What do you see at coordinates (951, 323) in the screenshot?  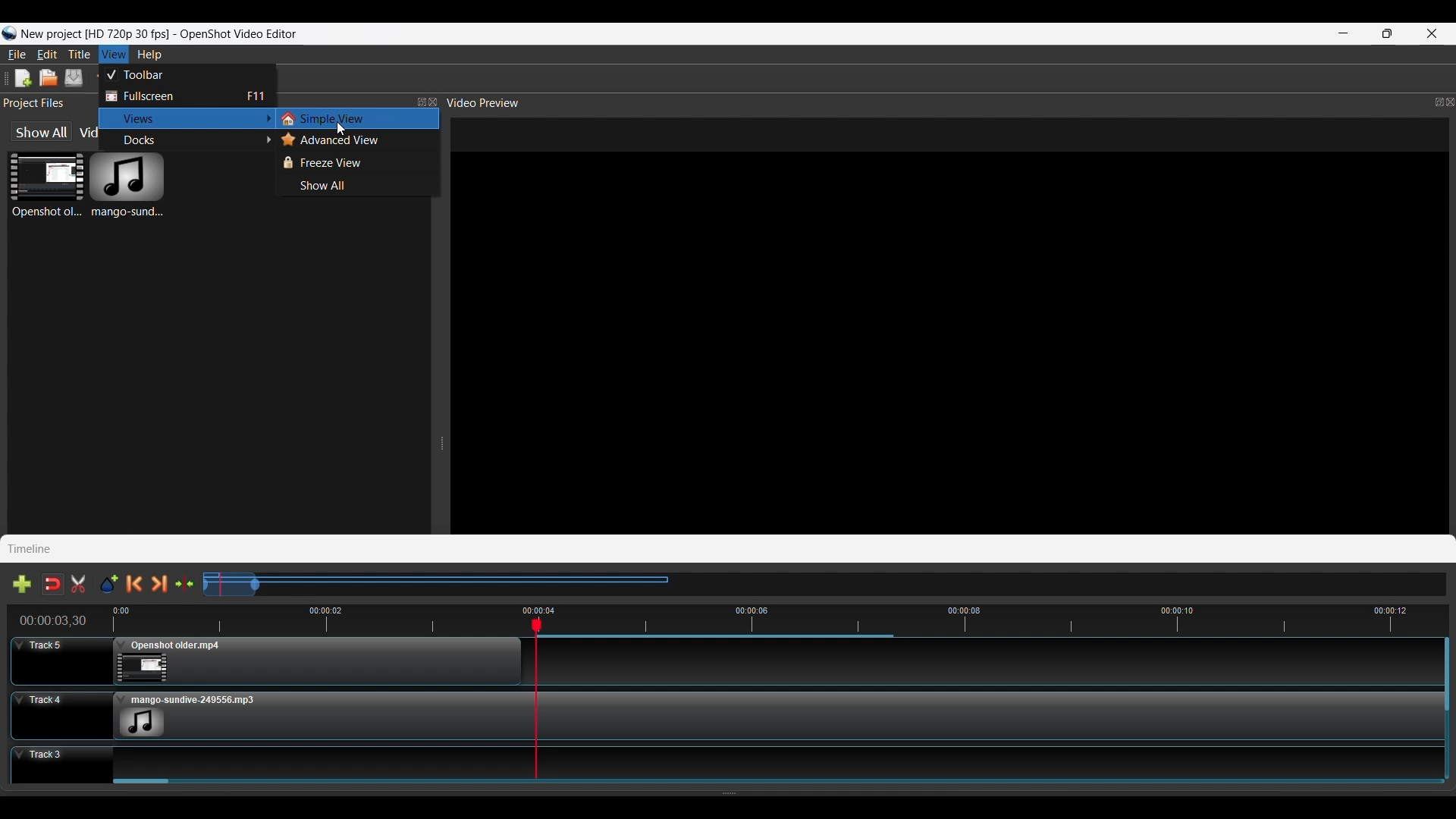 I see `File Preview` at bounding box center [951, 323].